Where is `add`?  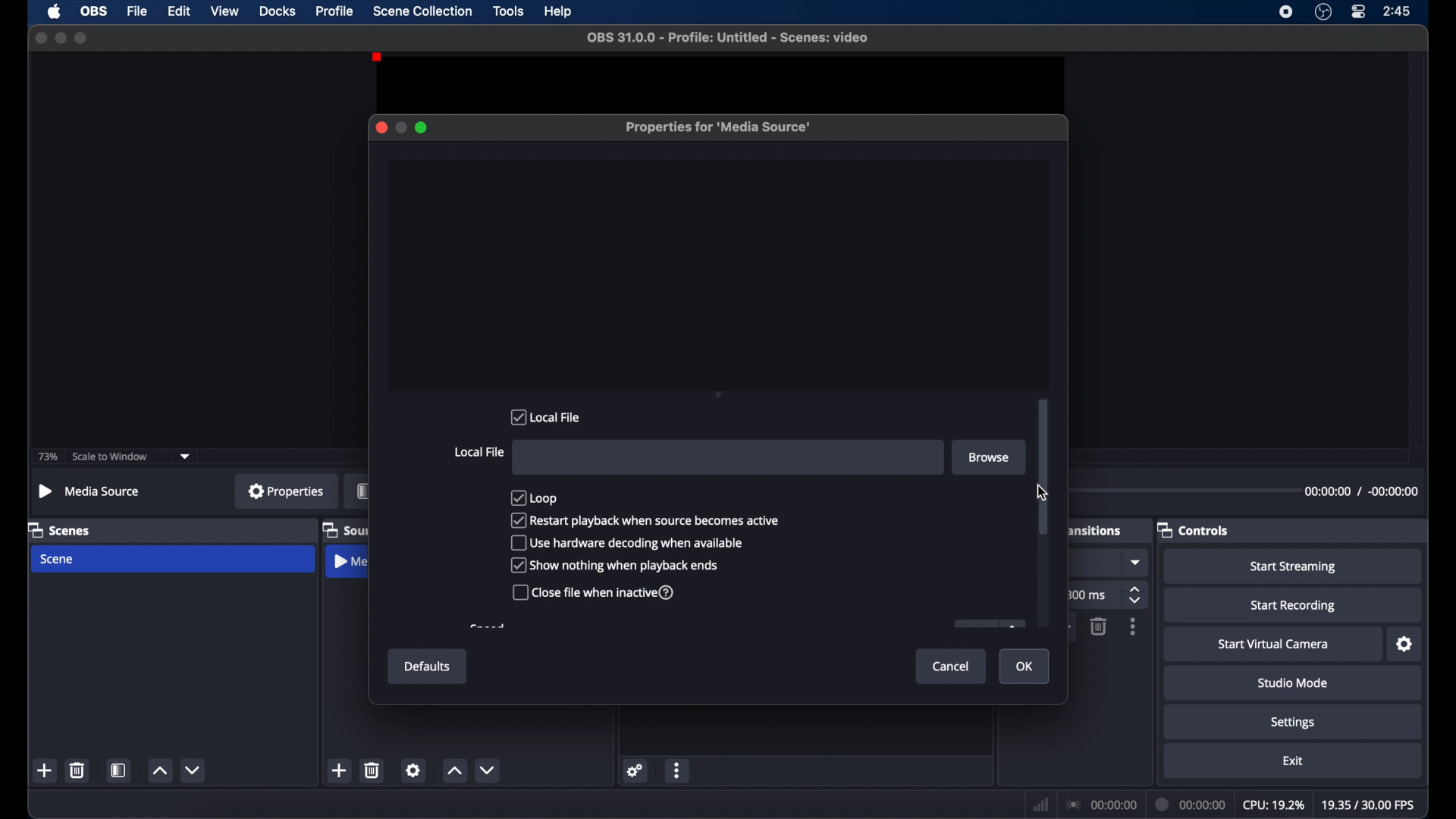
add is located at coordinates (45, 770).